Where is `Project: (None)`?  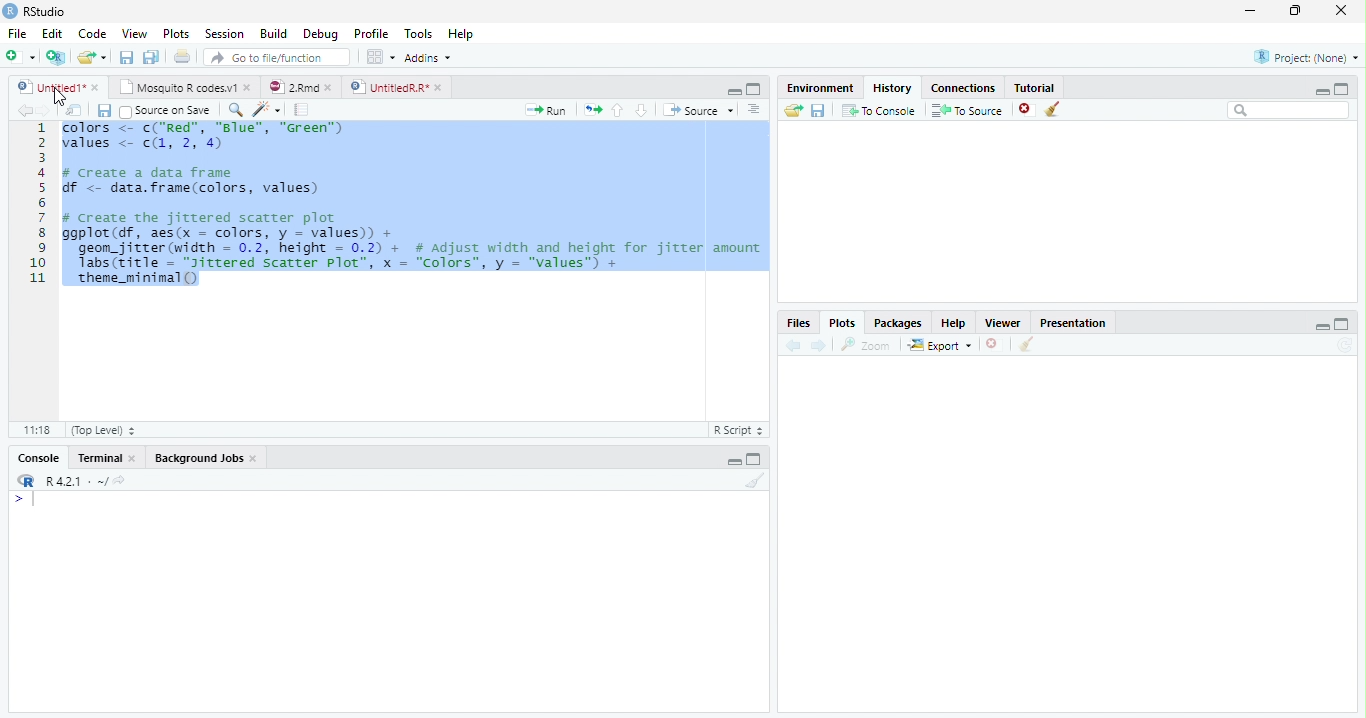 Project: (None) is located at coordinates (1306, 57).